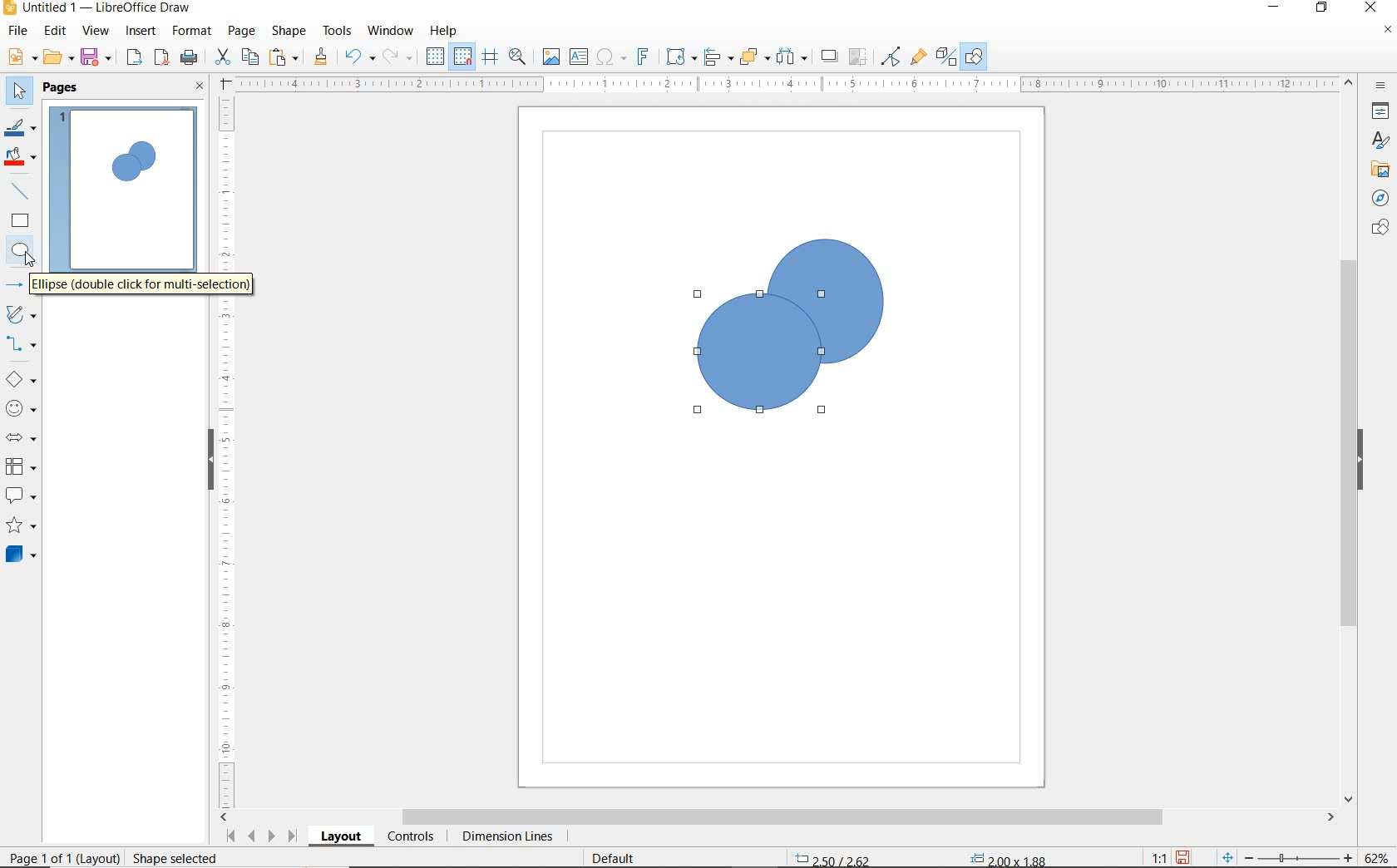 The width and height of the screenshot is (1397, 868). I want to click on INSERT IMAGE, so click(551, 57).